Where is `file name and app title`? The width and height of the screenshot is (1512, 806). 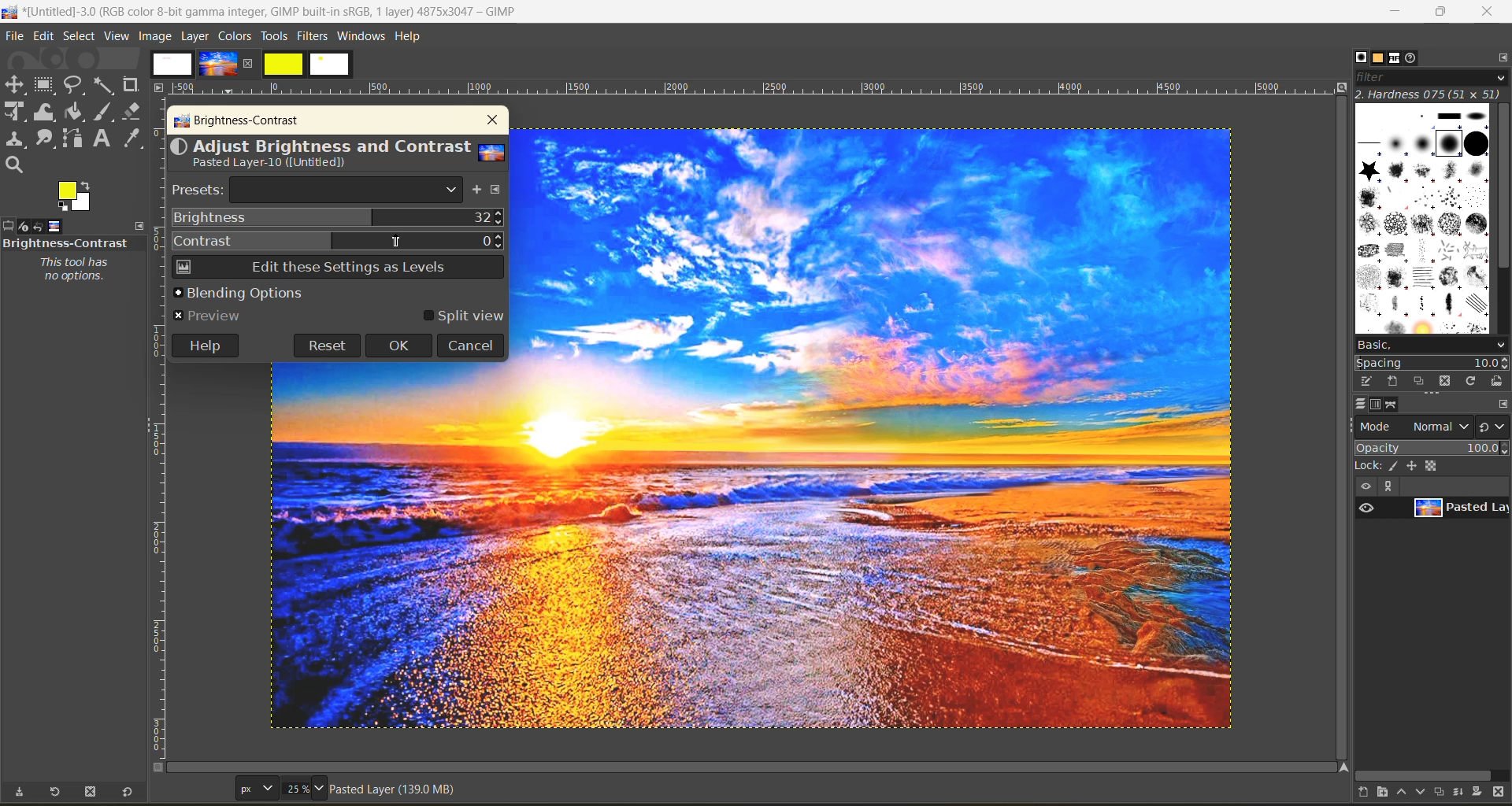
file name and app title is located at coordinates (269, 15).